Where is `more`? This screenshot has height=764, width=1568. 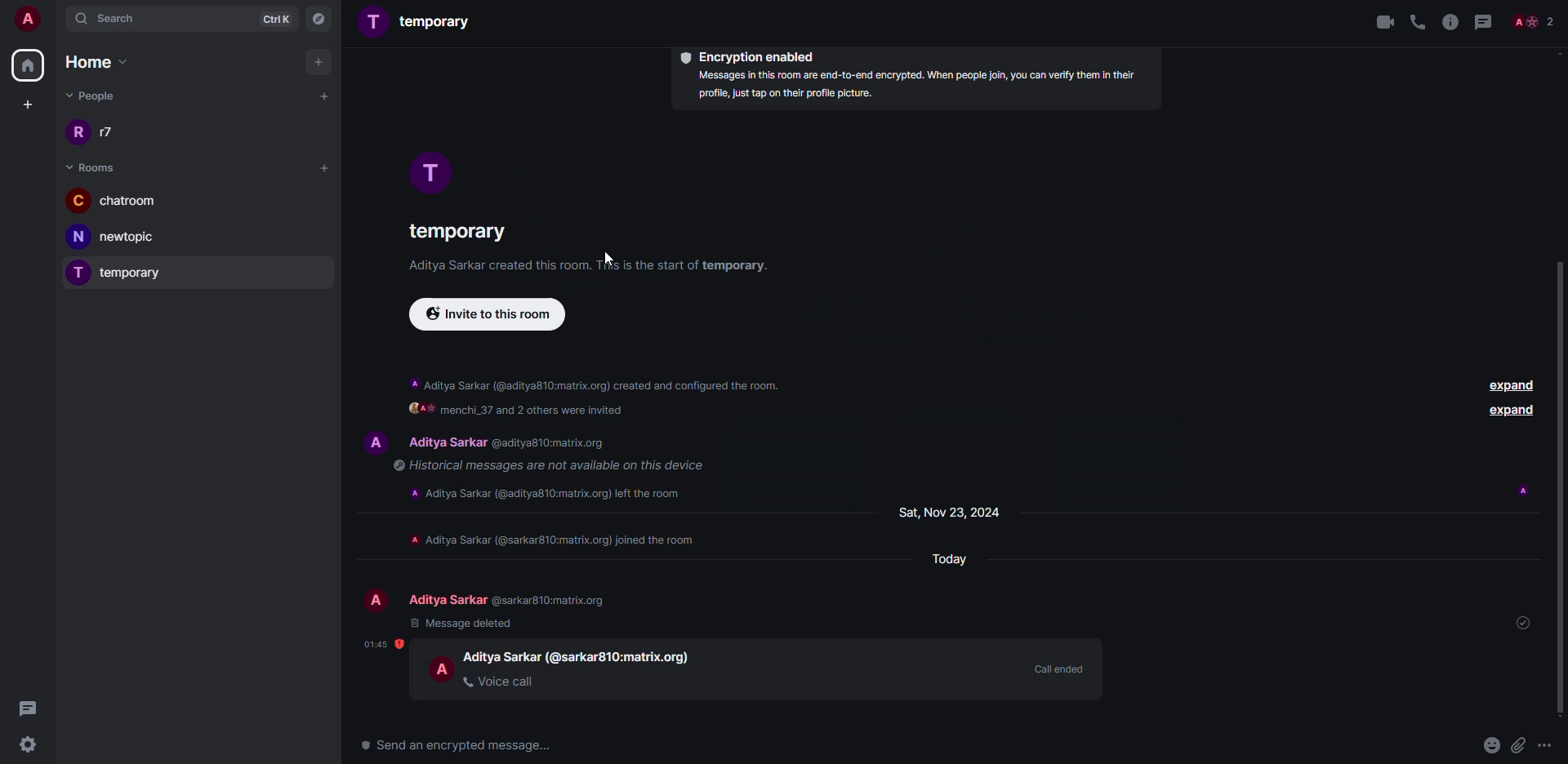 more is located at coordinates (1546, 744).